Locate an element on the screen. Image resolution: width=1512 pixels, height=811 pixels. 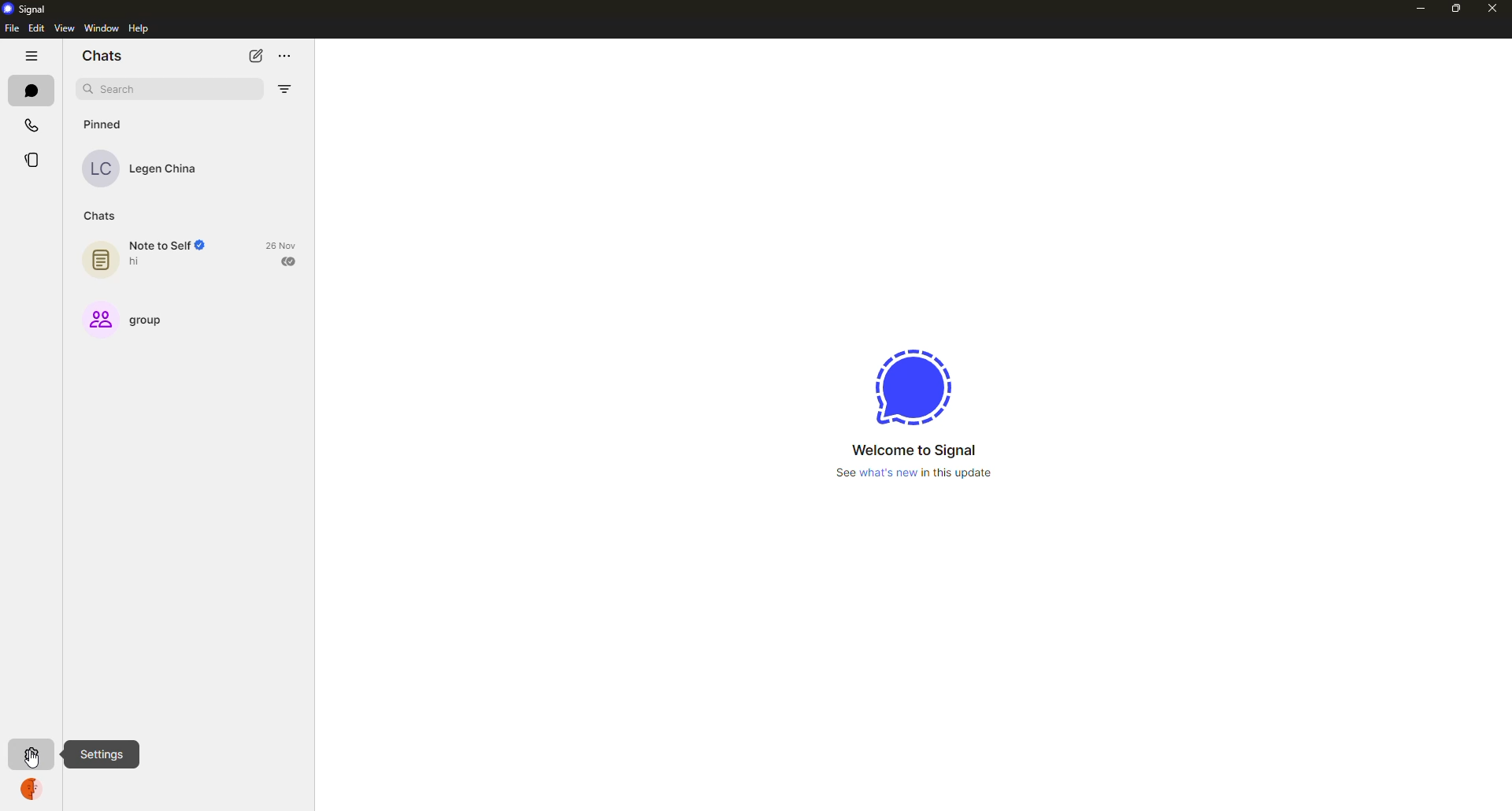
Note icon is located at coordinates (99, 257).